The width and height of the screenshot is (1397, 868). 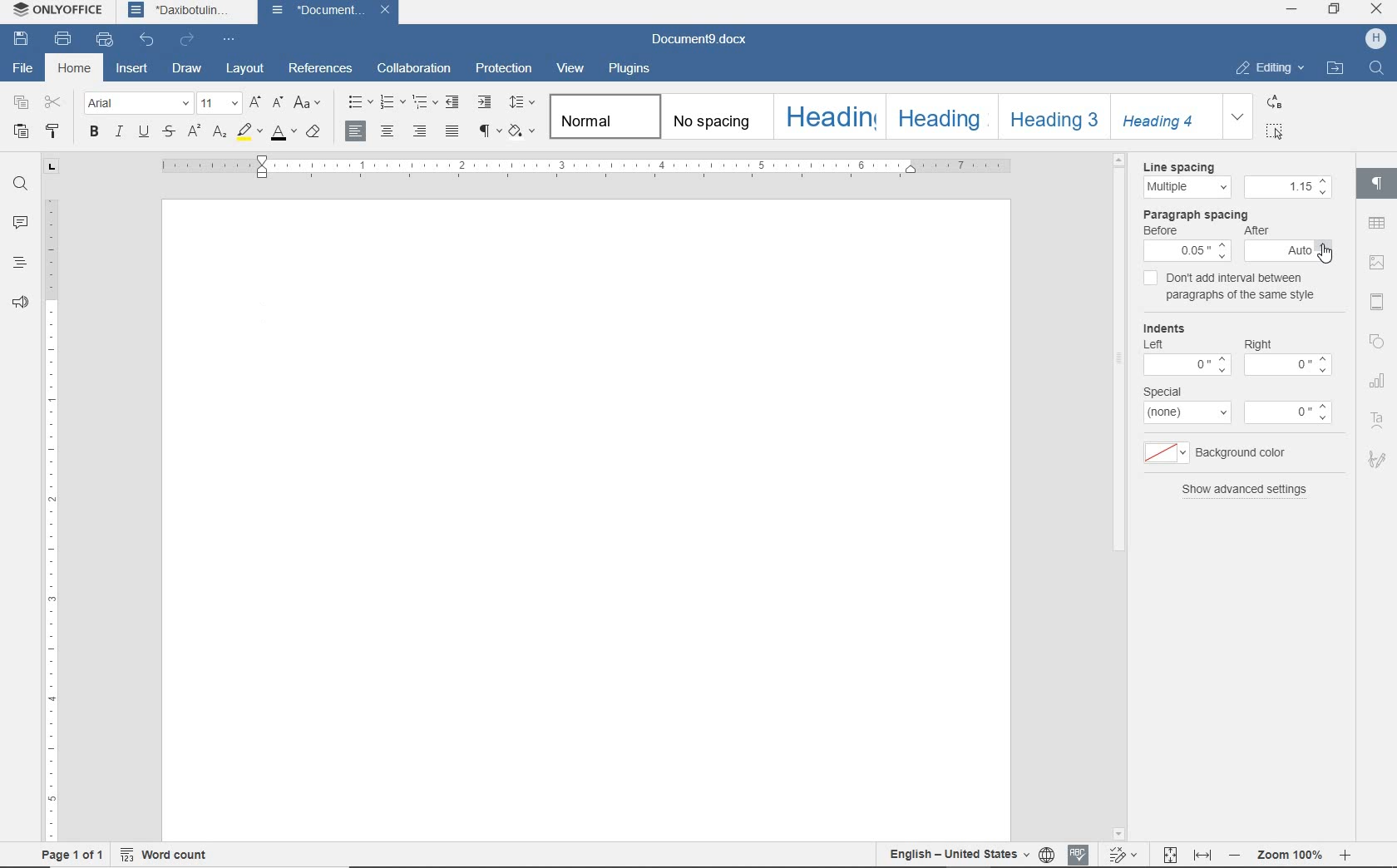 I want to click on paragraph line spacing, so click(x=521, y=104).